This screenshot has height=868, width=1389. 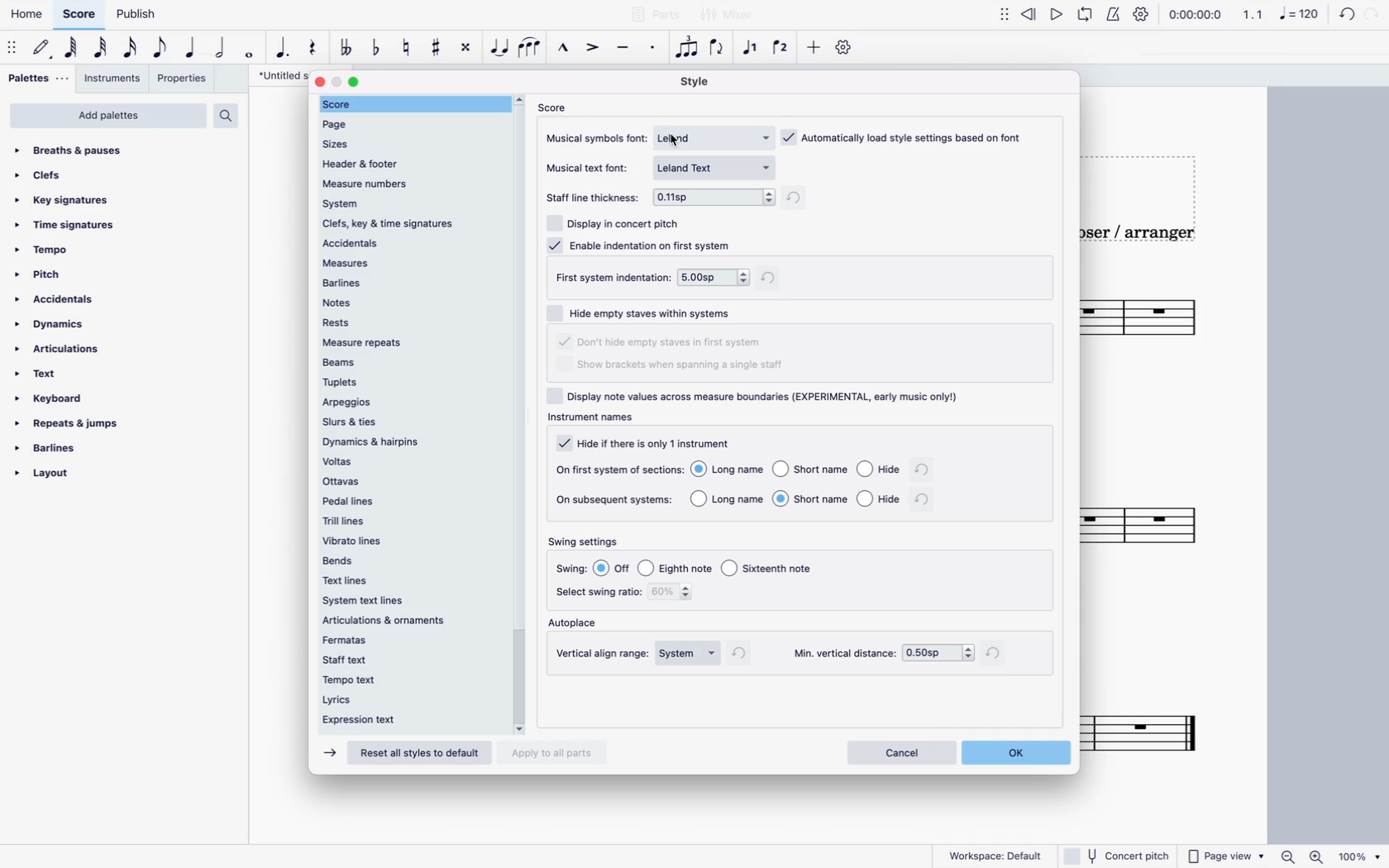 I want to click on reset, so click(x=423, y=754).